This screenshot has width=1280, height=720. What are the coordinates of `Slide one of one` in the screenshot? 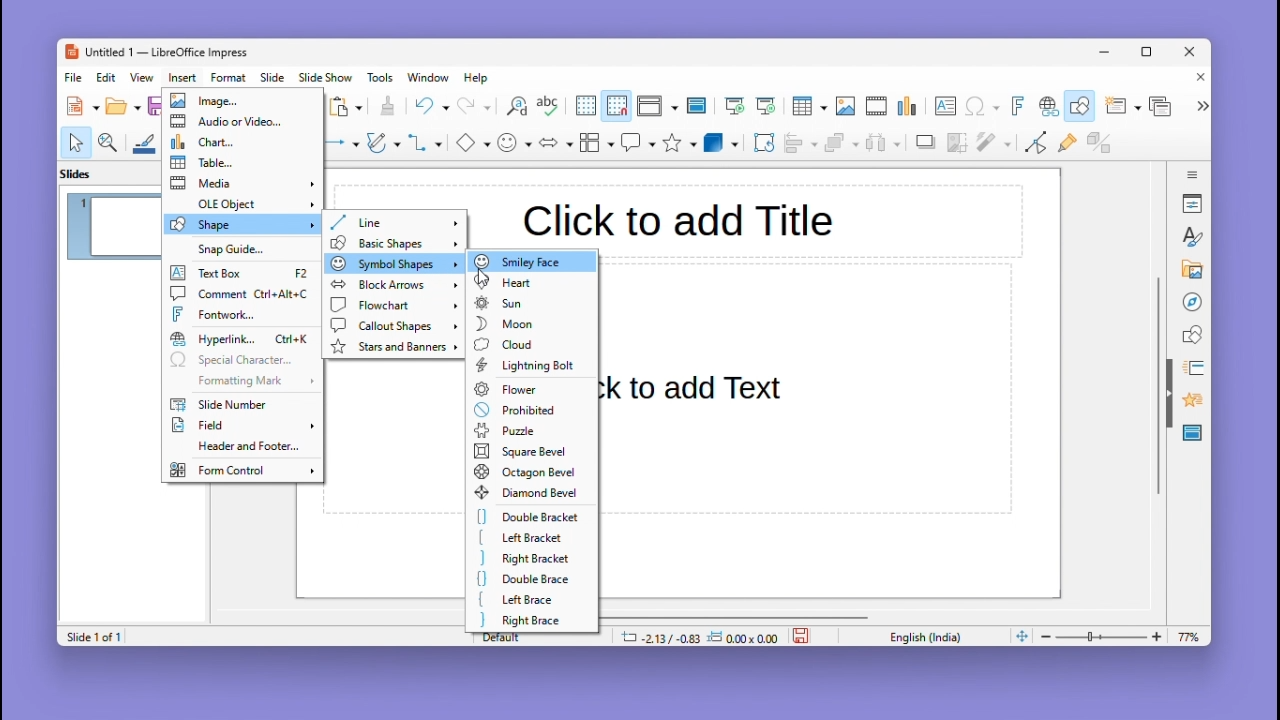 It's located at (91, 637).